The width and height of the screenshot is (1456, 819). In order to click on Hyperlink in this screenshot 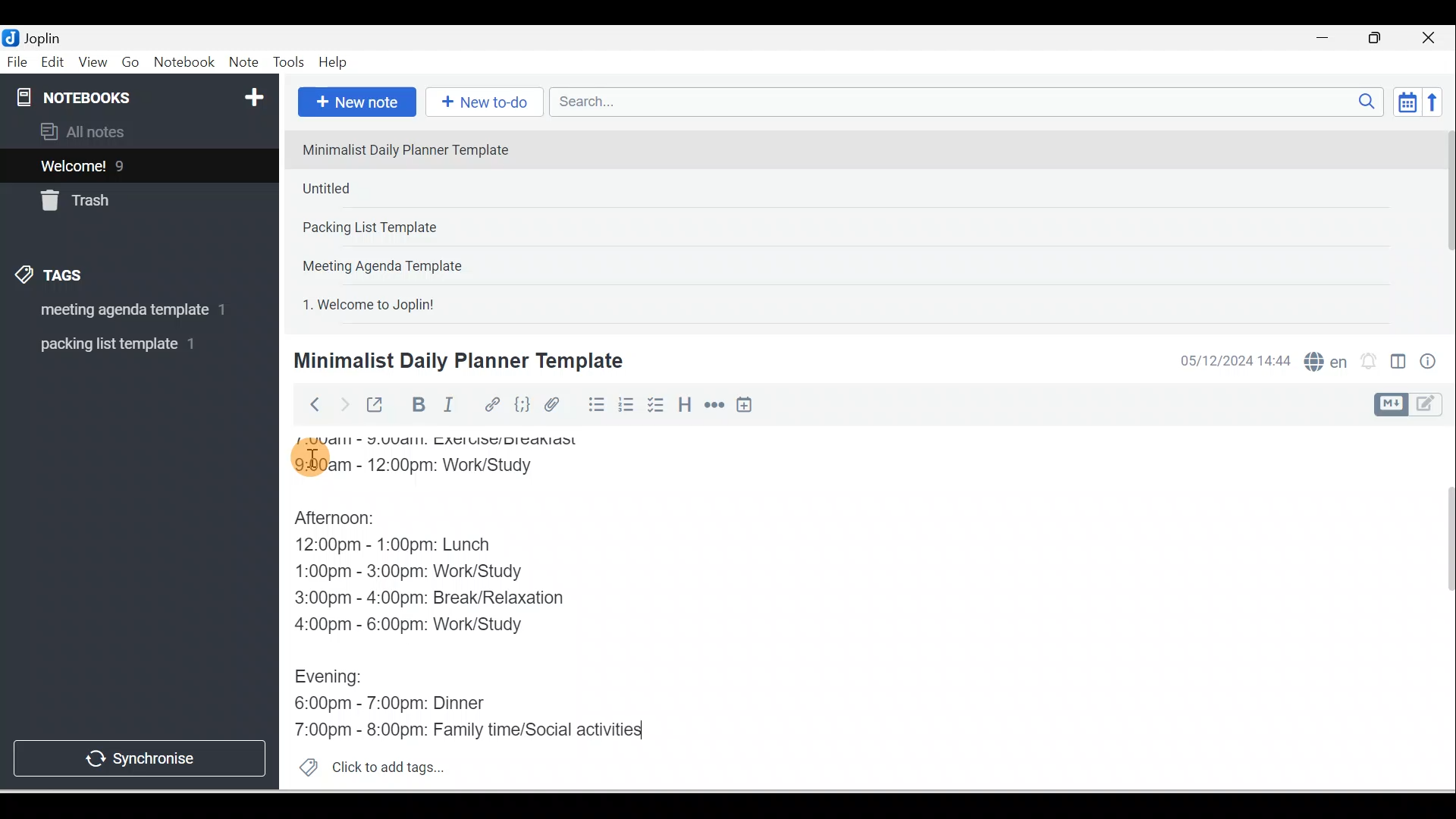, I will do `click(491, 406)`.